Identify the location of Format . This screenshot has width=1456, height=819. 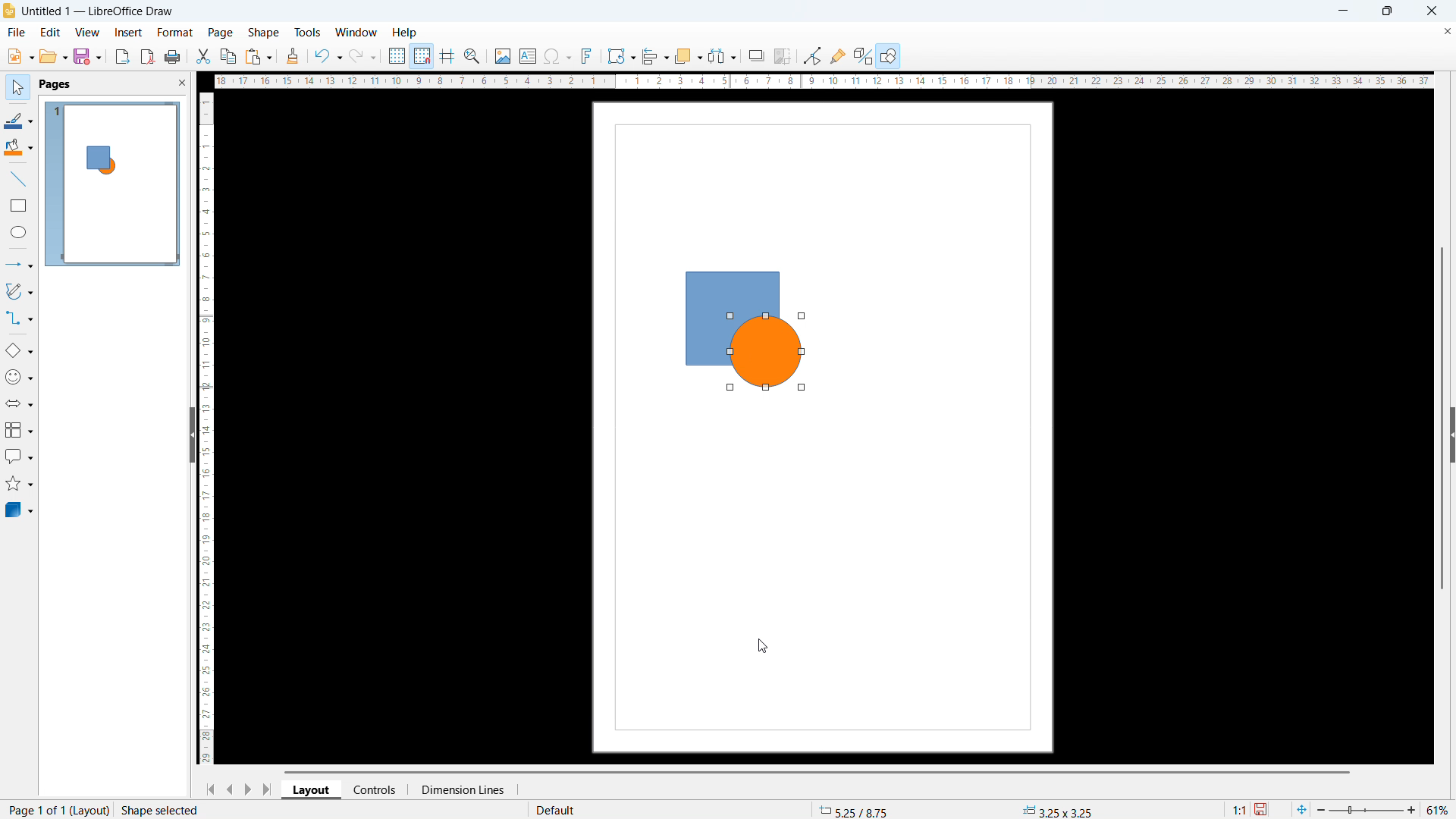
(176, 33).